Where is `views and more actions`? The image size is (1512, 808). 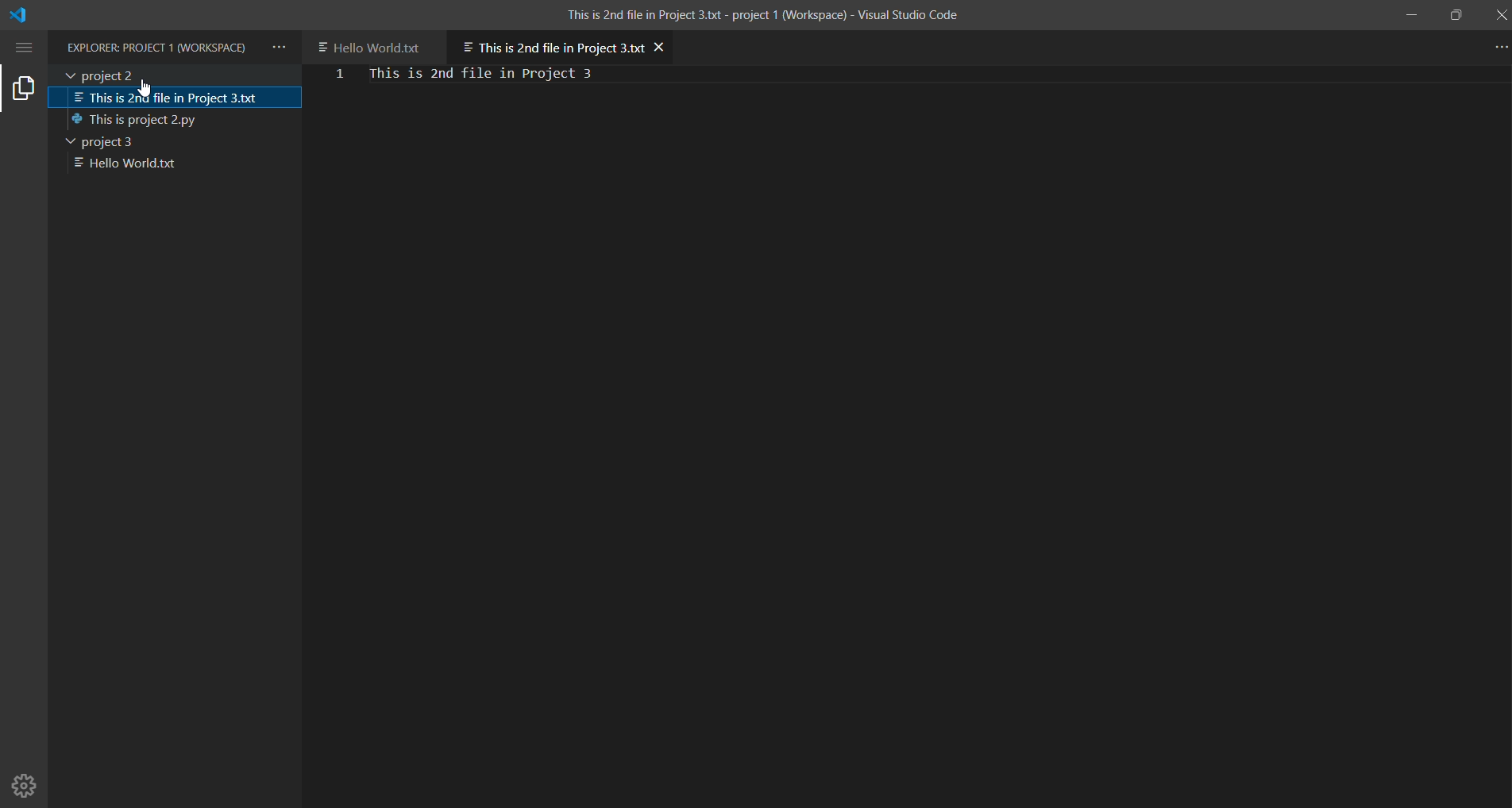 views and more actions is located at coordinates (279, 48).